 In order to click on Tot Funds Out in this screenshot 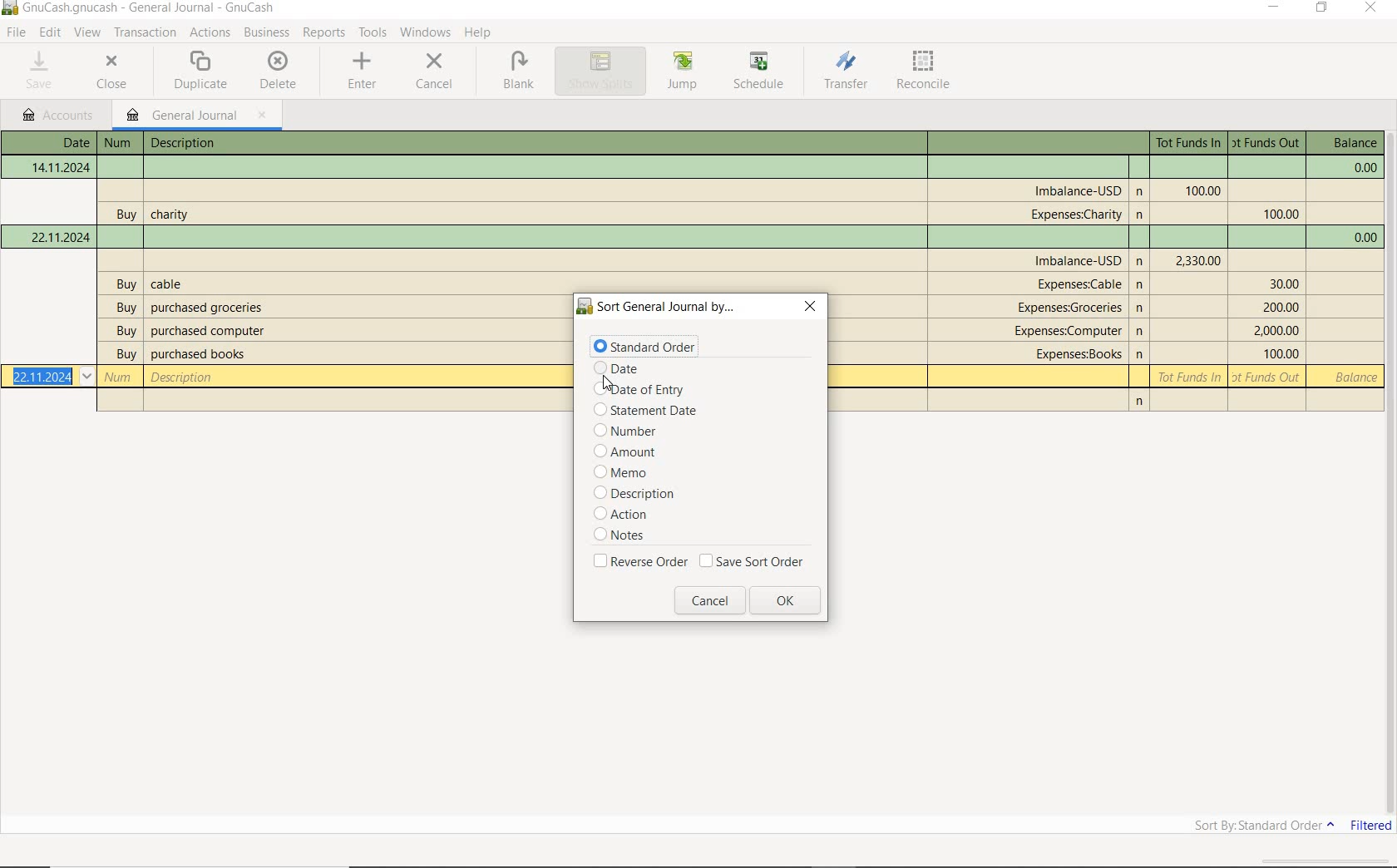, I will do `click(1268, 377)`.